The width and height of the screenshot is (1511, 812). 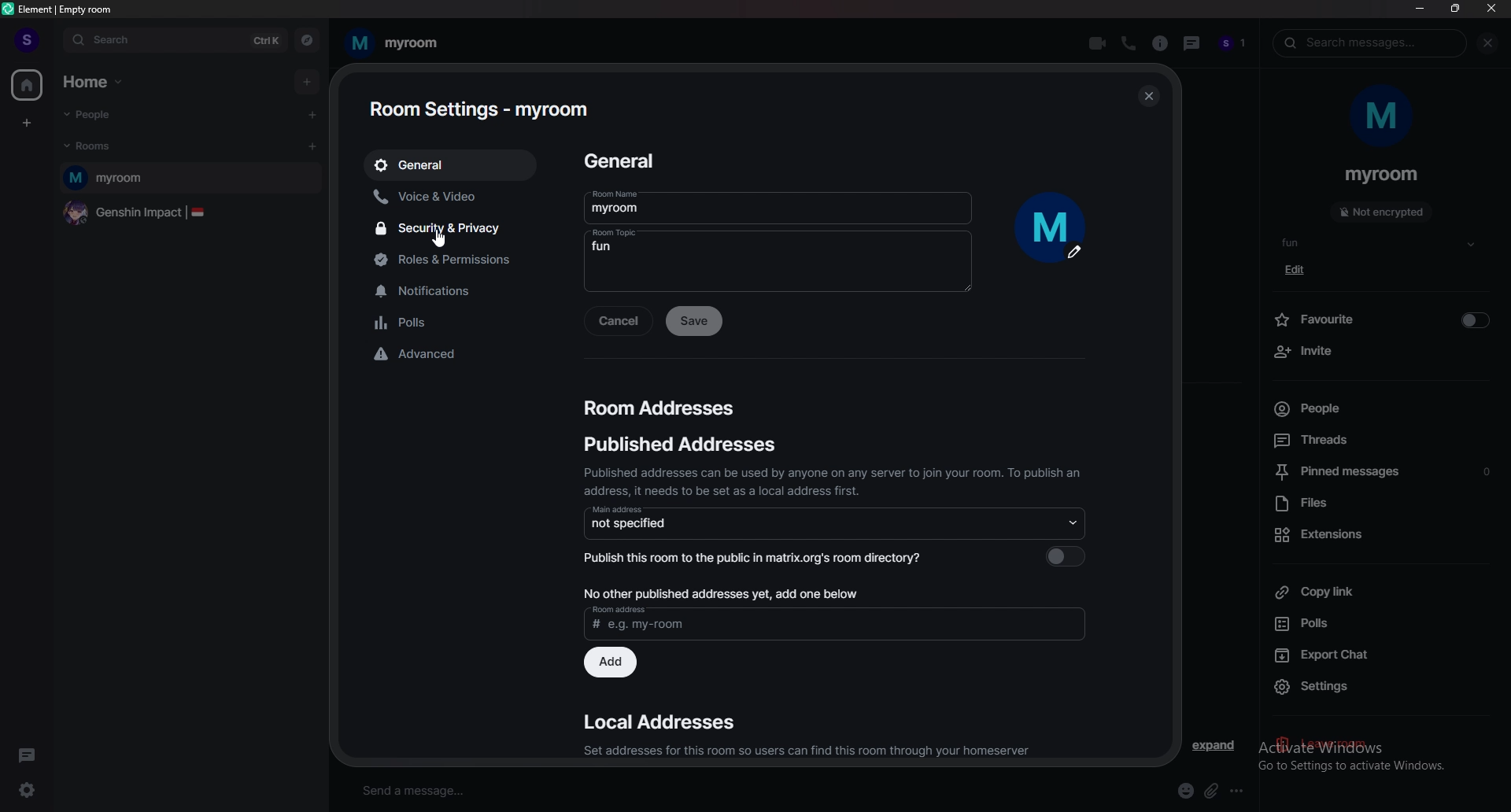 What do you see at coordinates (314, 116) in the screenshot?
I see `start chat` at bounding box center [314, 116].